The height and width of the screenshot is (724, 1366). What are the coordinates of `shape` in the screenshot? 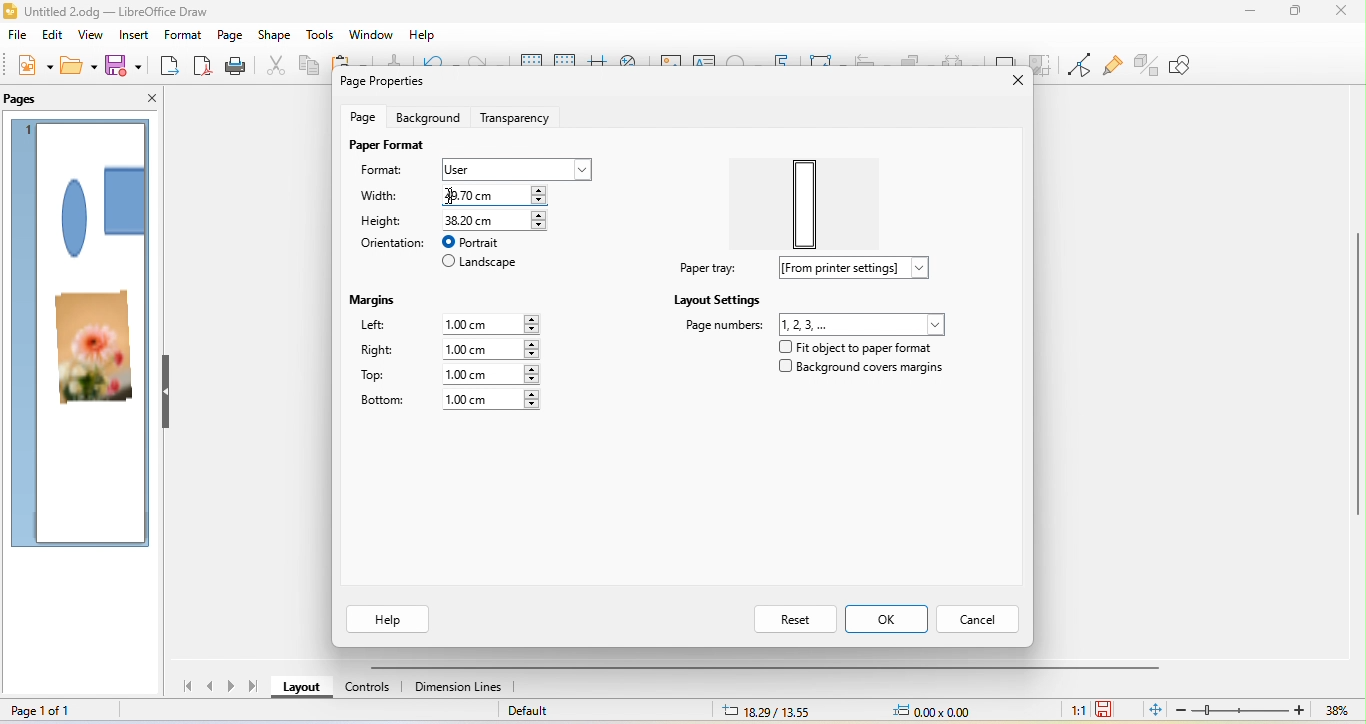 It's located at (277, 35).